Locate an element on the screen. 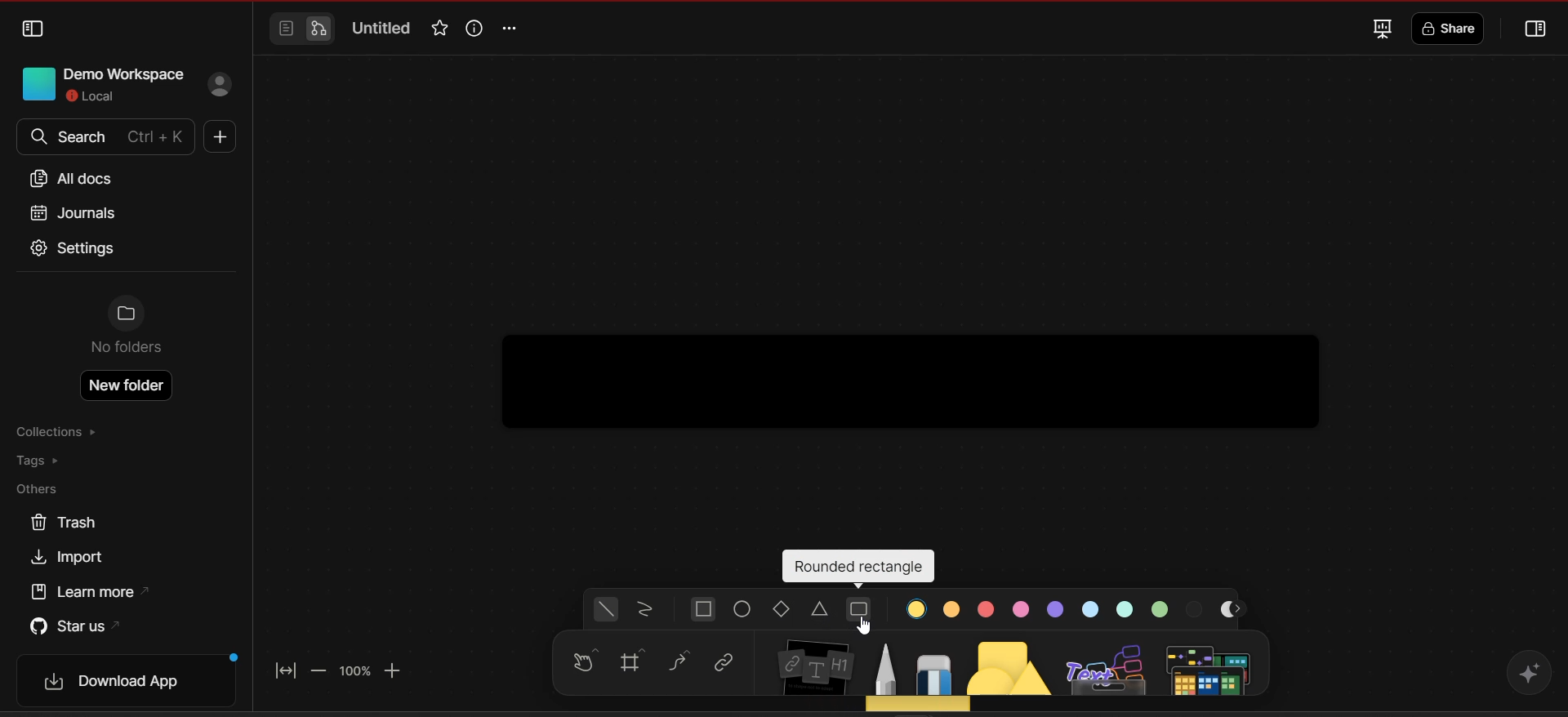 Image resolution: width=1568 pixels, height=717 pixels. move right is located at coordinates (1241, 609).